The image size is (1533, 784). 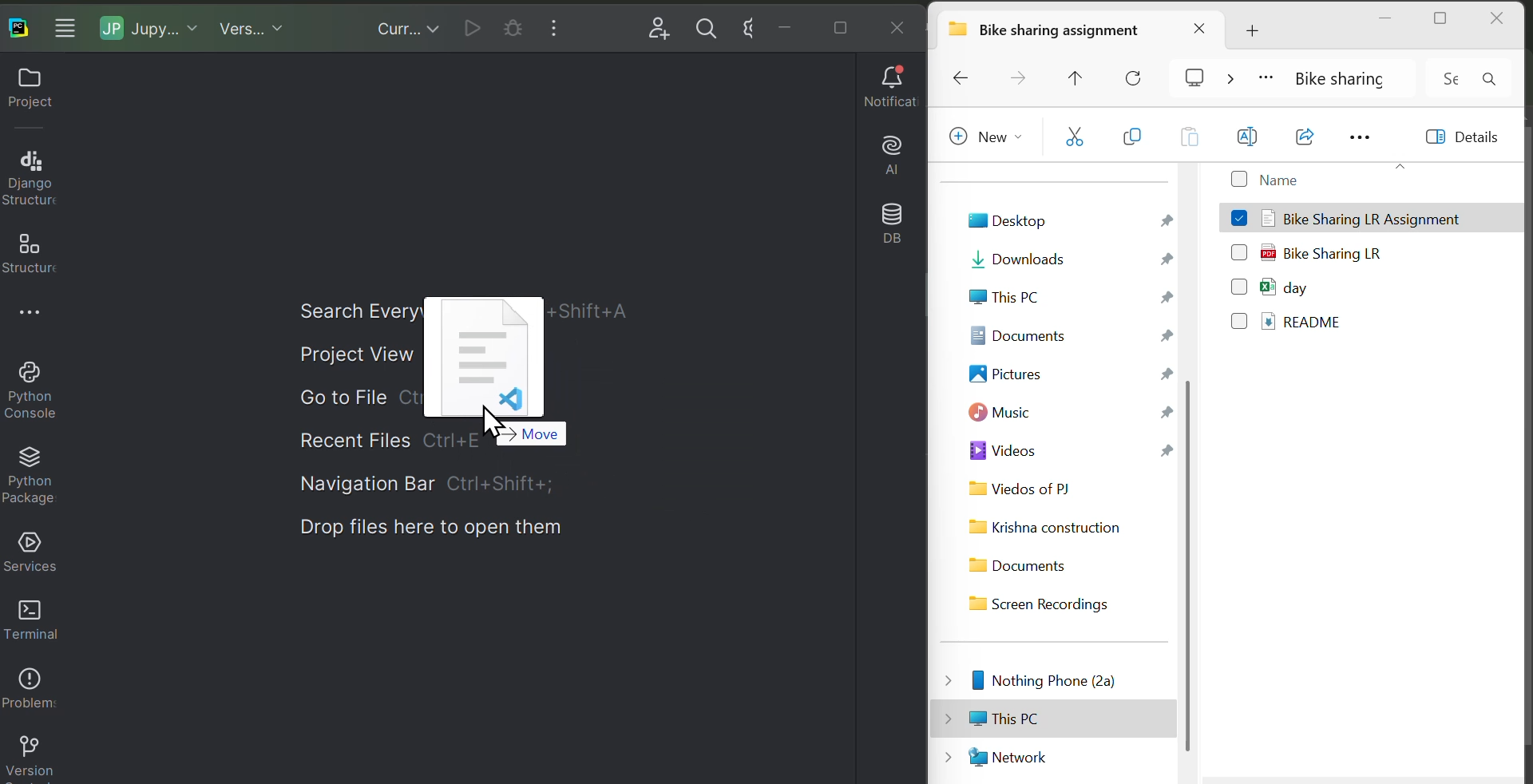 I want to click on maximise, so click(x=1440, y=20).